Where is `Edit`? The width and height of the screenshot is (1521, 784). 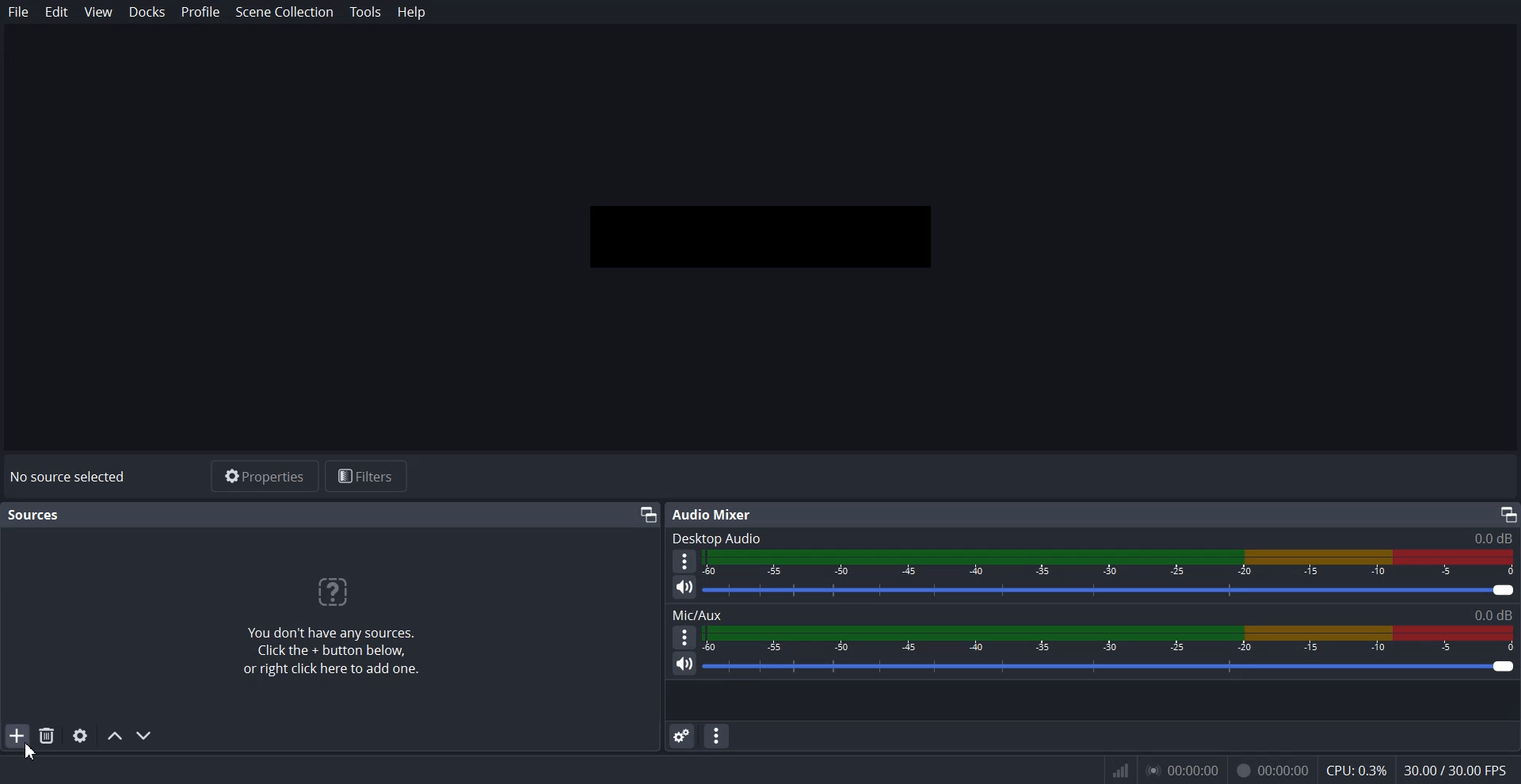
Edit is located at coordinates (57, 12).